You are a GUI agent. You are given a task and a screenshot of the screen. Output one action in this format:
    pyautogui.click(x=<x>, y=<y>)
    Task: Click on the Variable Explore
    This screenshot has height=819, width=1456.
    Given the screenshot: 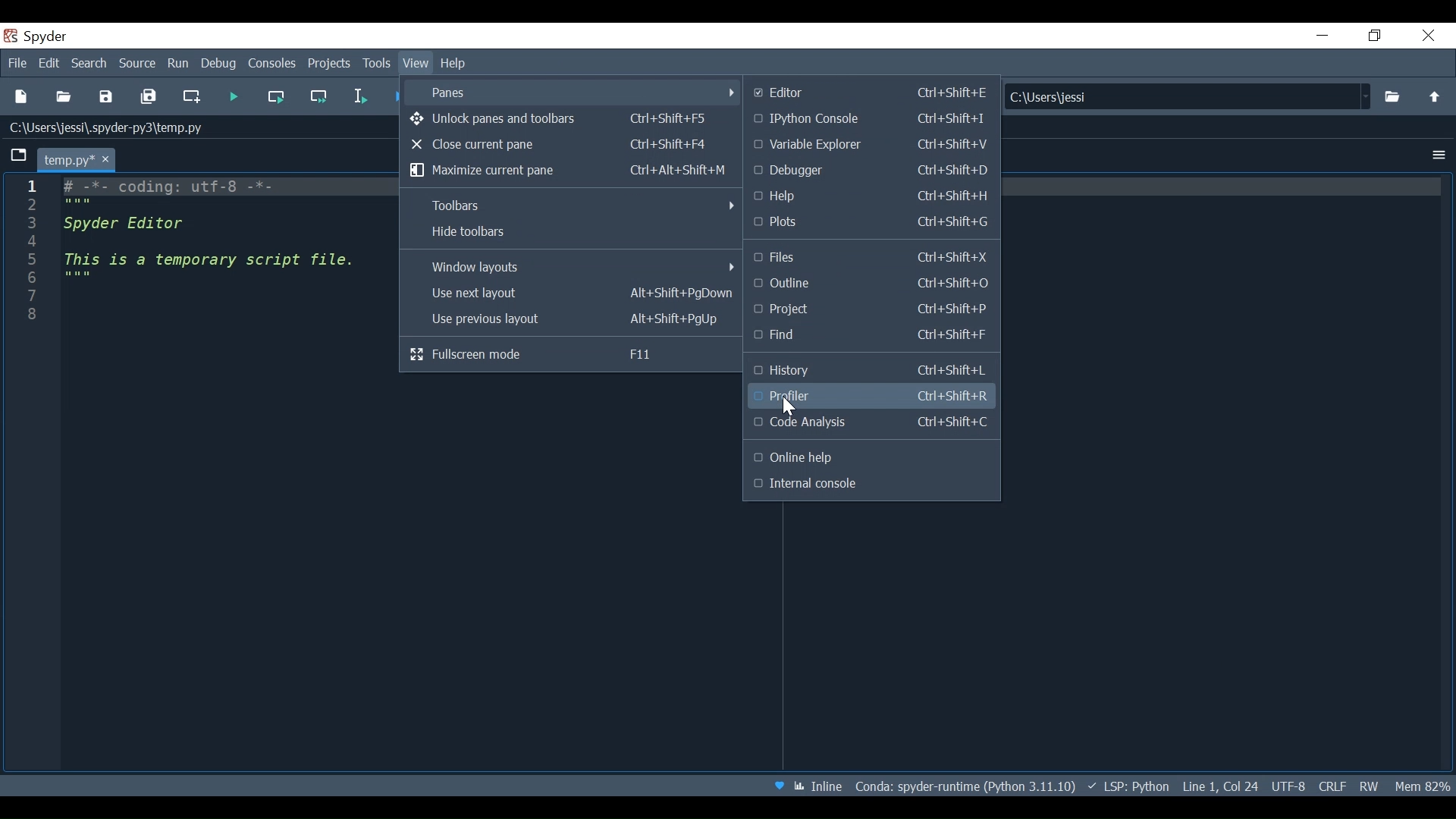 What is the action you would take?
    pyautogui.click(x=873, y=143)
    